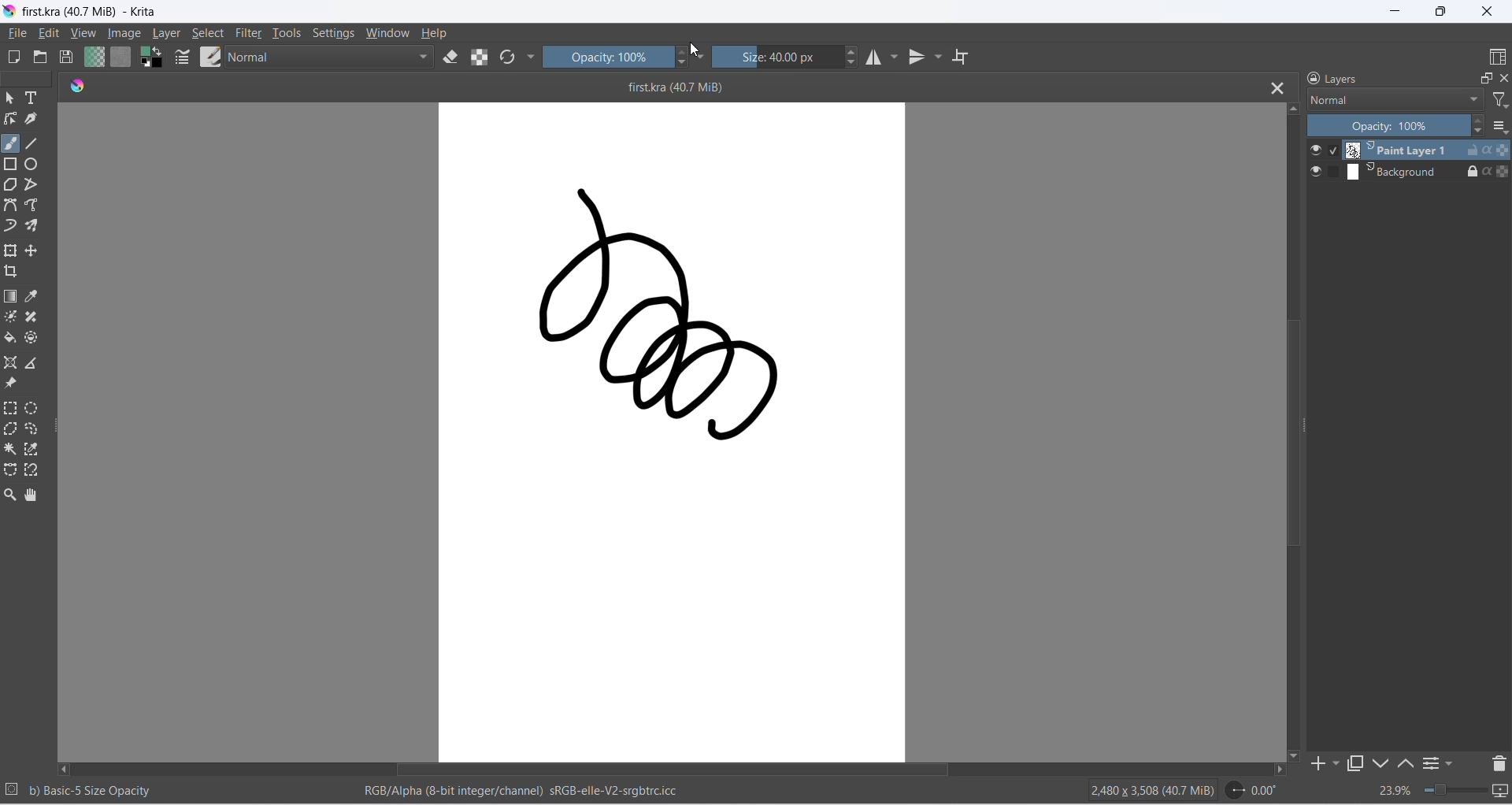 The image size is (1512, 805). I want to click on minimize, so click(1395, 11).